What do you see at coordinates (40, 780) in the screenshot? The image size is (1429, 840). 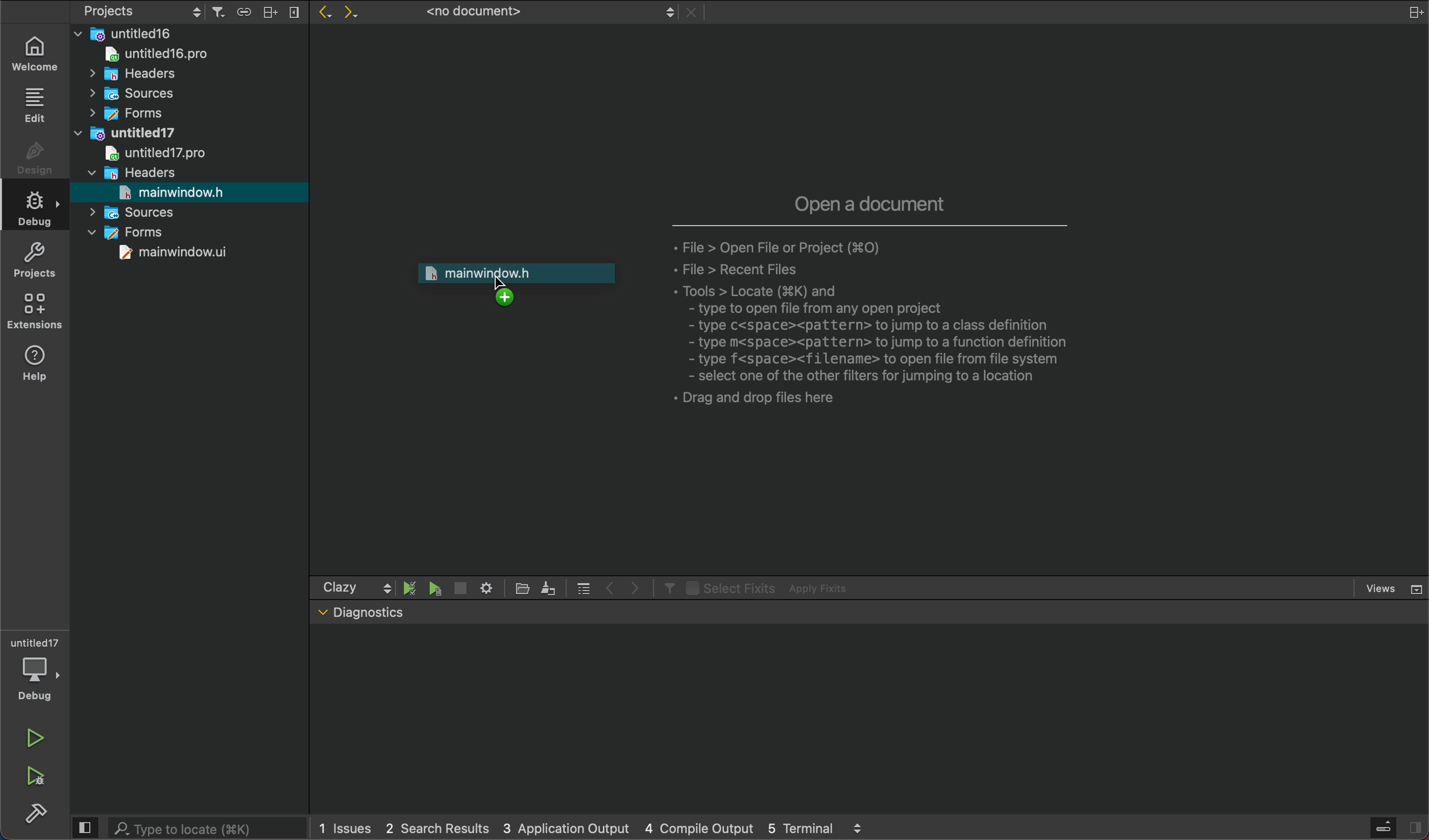 I see `run and debug` at bounding box center [40, 780].